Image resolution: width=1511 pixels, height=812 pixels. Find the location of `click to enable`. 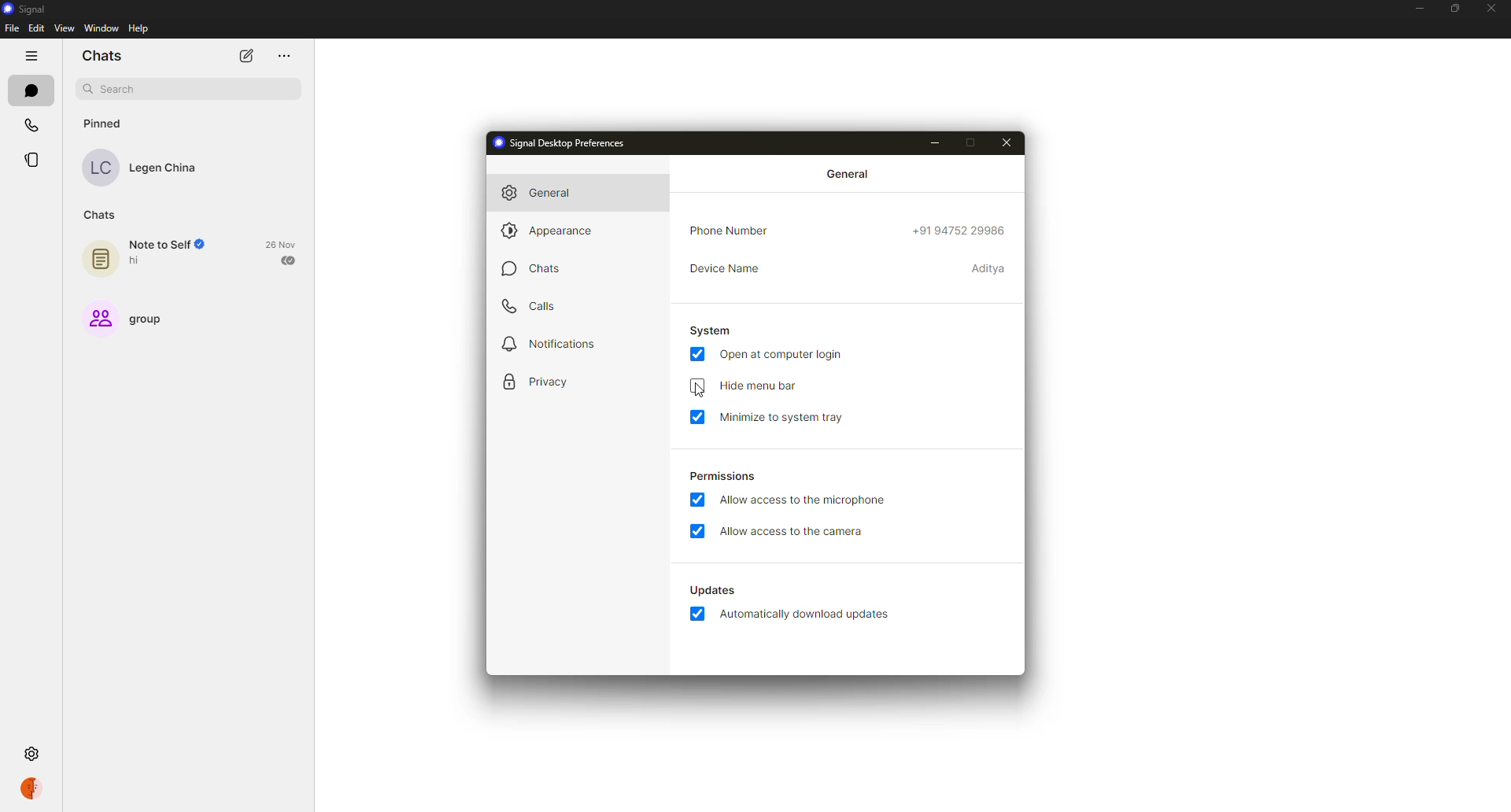

click to enable is located at coordinates (696, 386).